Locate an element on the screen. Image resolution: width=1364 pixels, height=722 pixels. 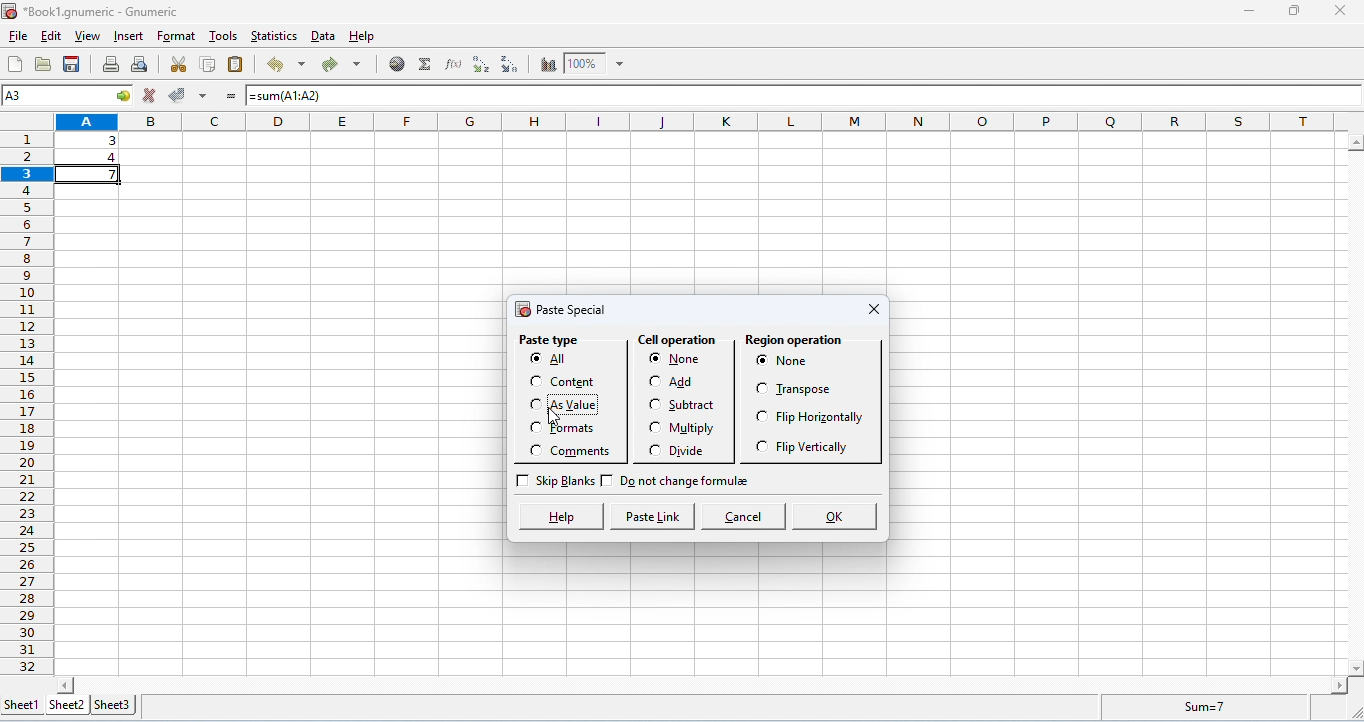
Checkbox is located at coordinates (654, 427).